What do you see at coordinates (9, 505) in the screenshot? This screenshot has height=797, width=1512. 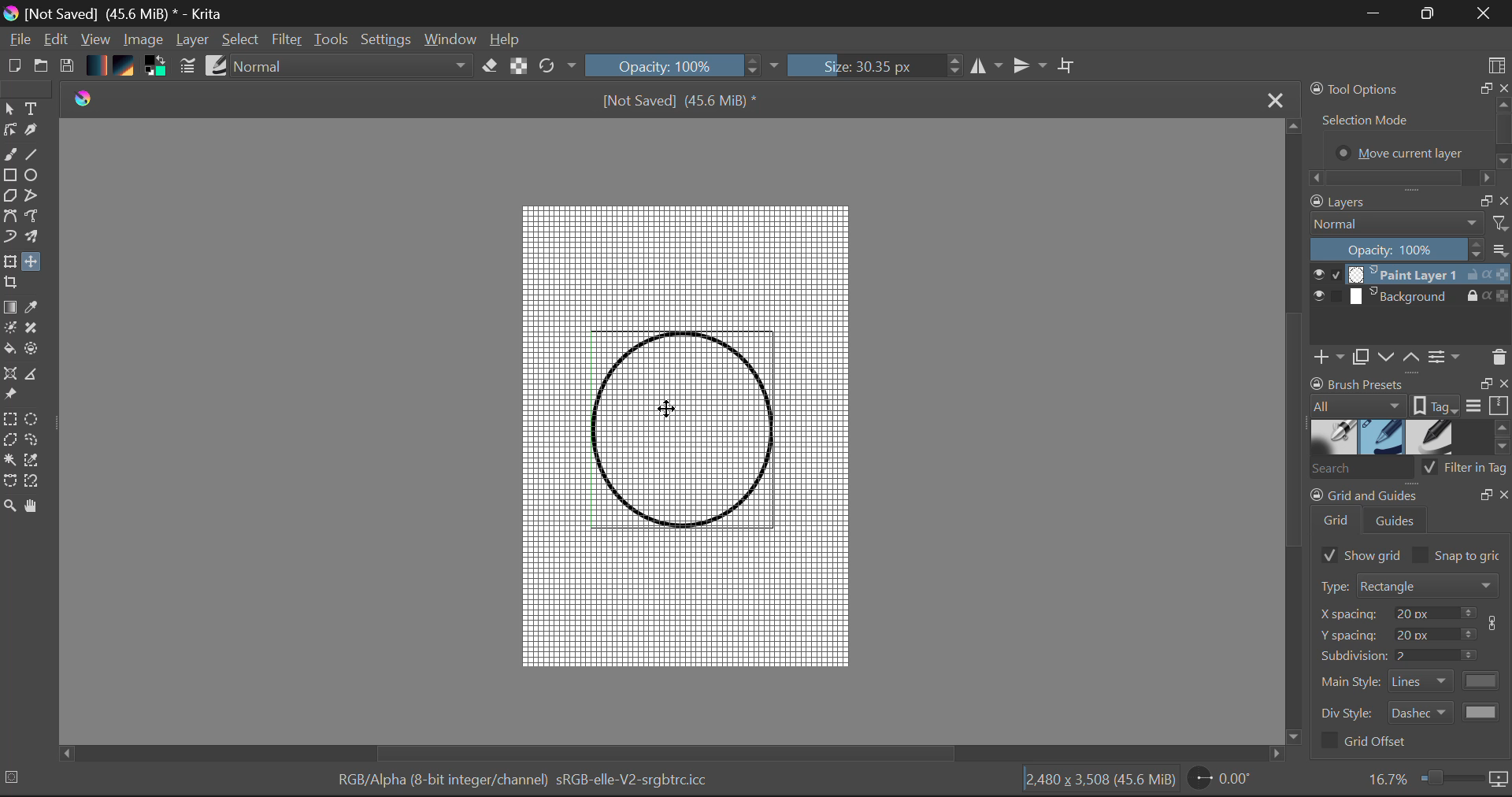 I see `Zoom` at bounding box center [9, 505].